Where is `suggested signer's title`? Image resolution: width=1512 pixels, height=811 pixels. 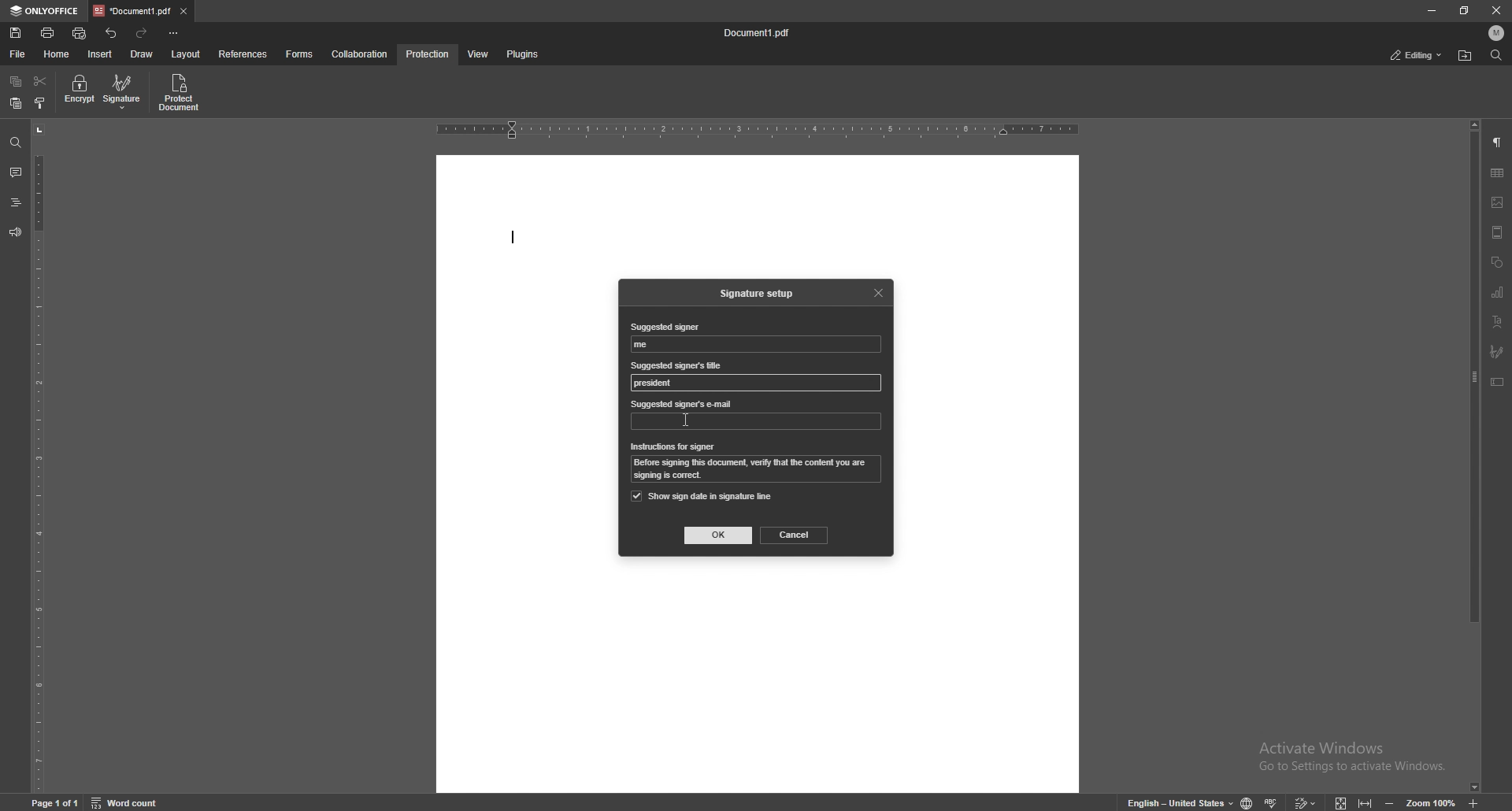
suggested signer's title is located at coordinates (677, 365).